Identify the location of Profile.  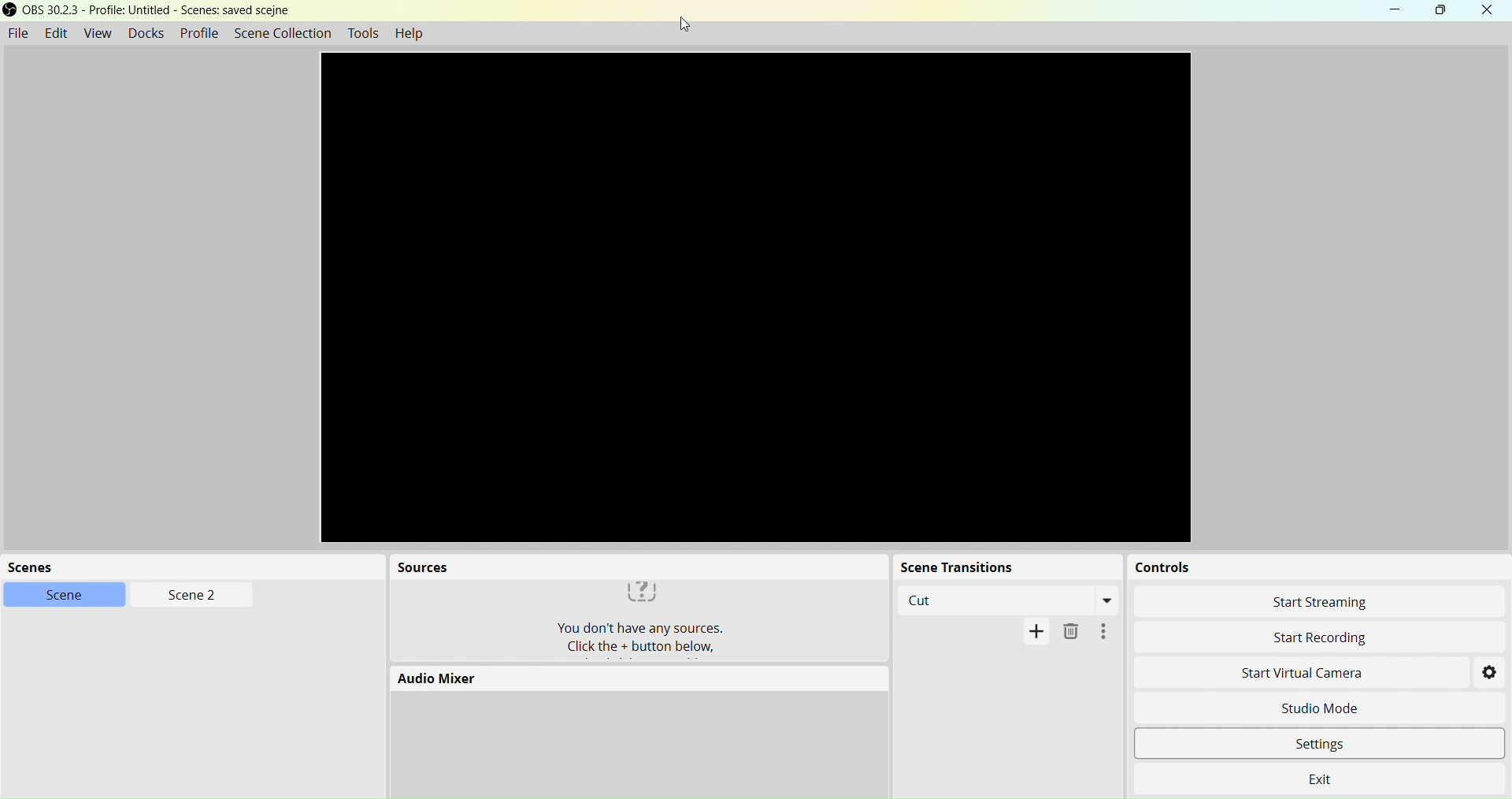
(199, 33).